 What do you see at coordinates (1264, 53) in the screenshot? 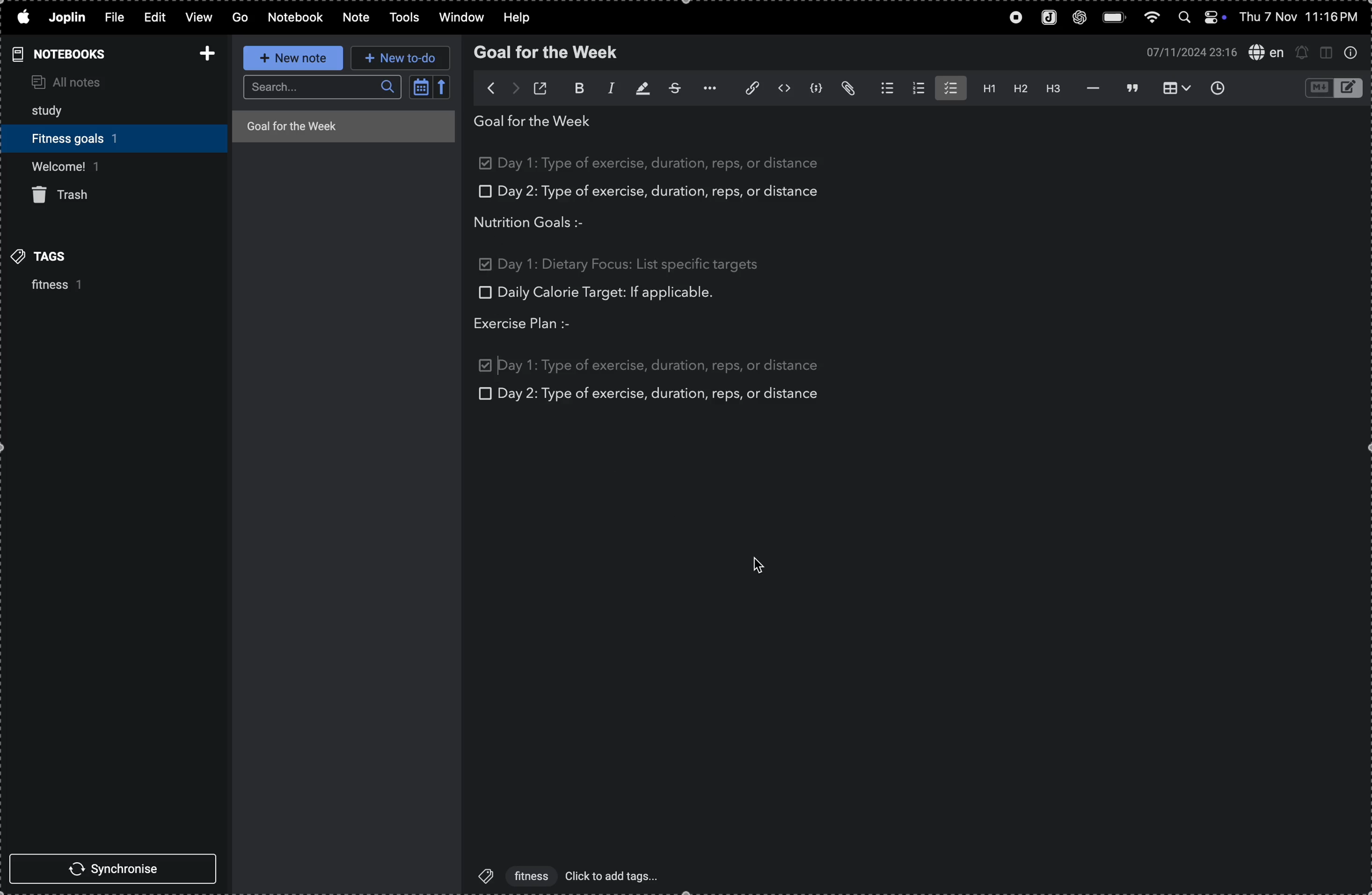
I see `spell check` at bounding box center [1264, 53].